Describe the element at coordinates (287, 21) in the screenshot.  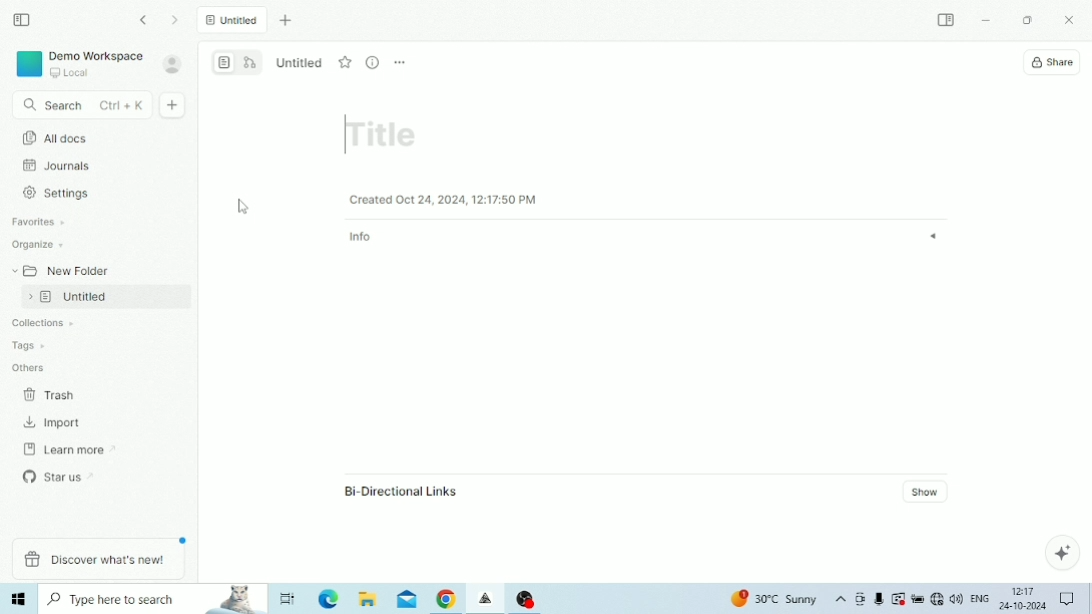
I see `New tab` at that location.